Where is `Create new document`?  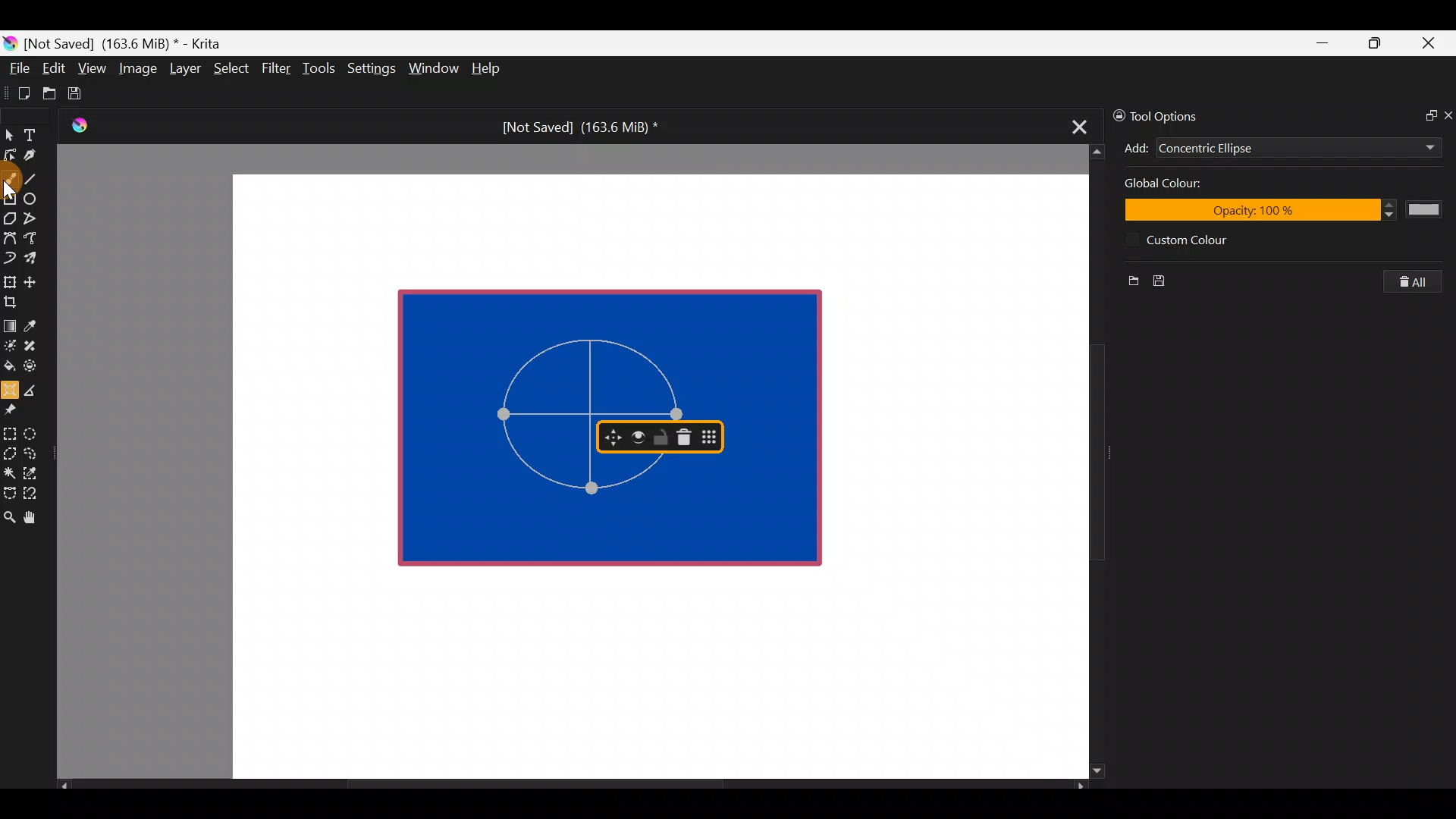
Create new document is located at coordinates (19, 93).